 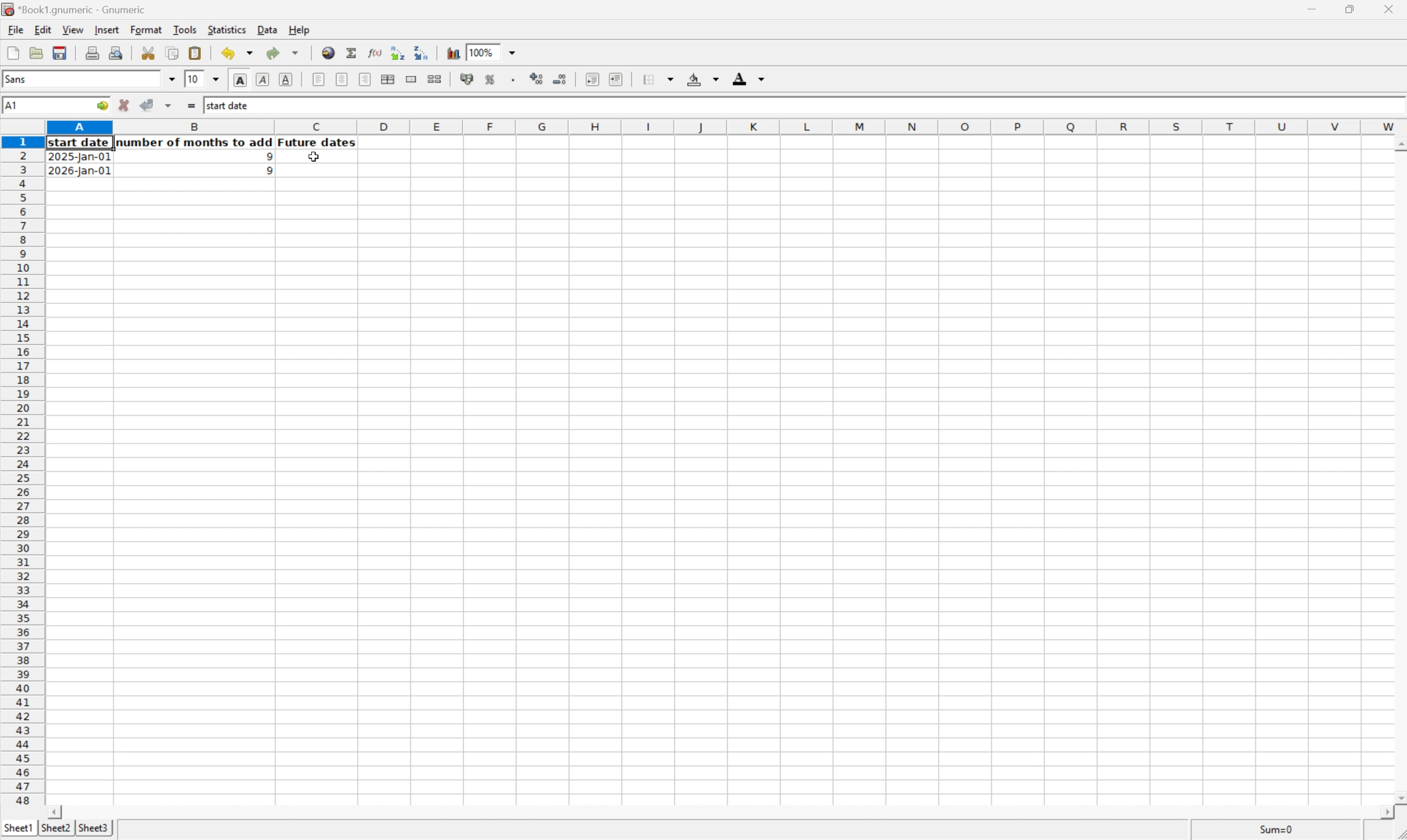 I want to click on Edit function in current cell, so click(x=372, y=52).